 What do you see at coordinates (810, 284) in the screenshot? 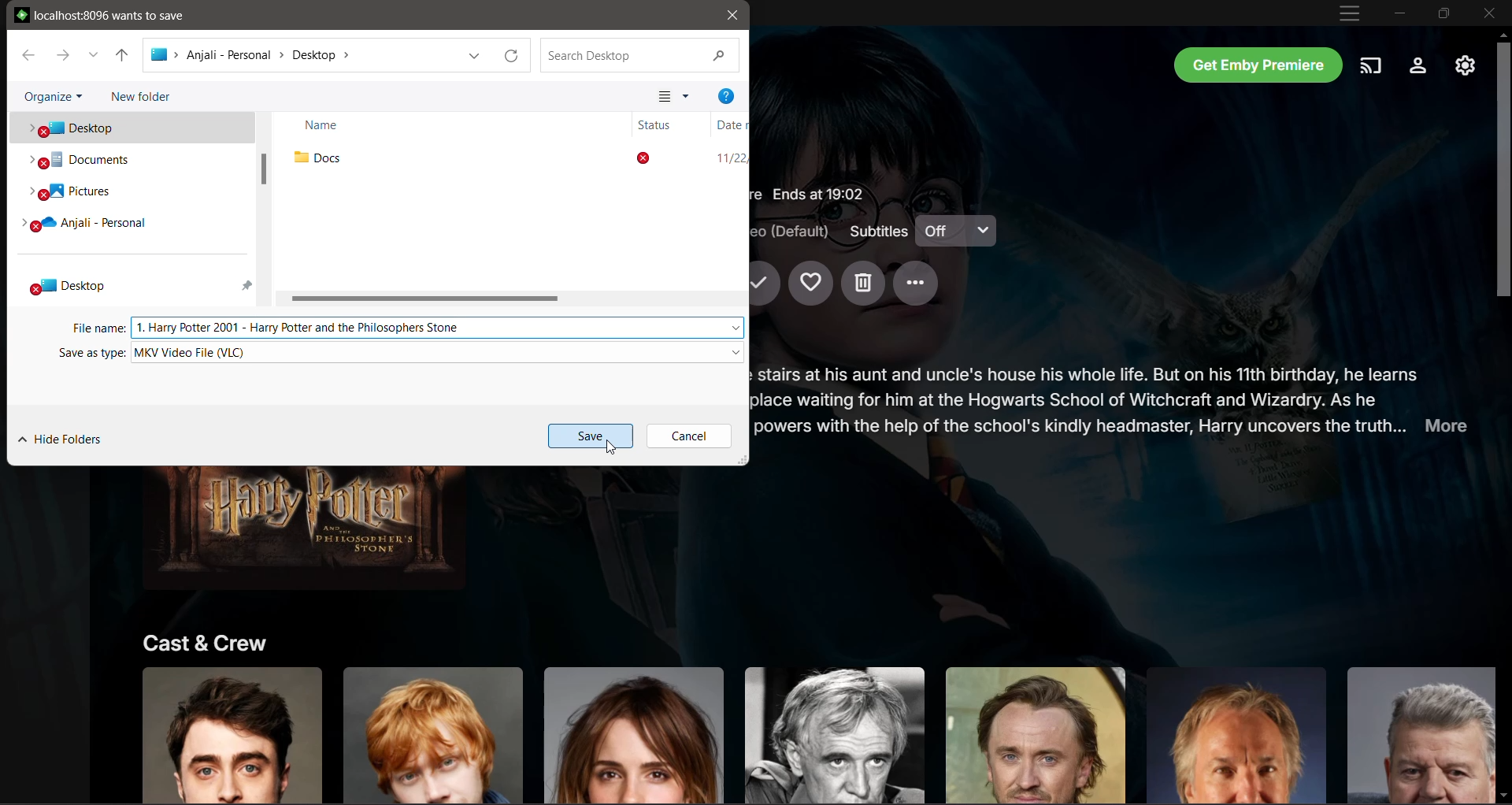
I see `Add to Favorites` at bounding box center [810, 284].